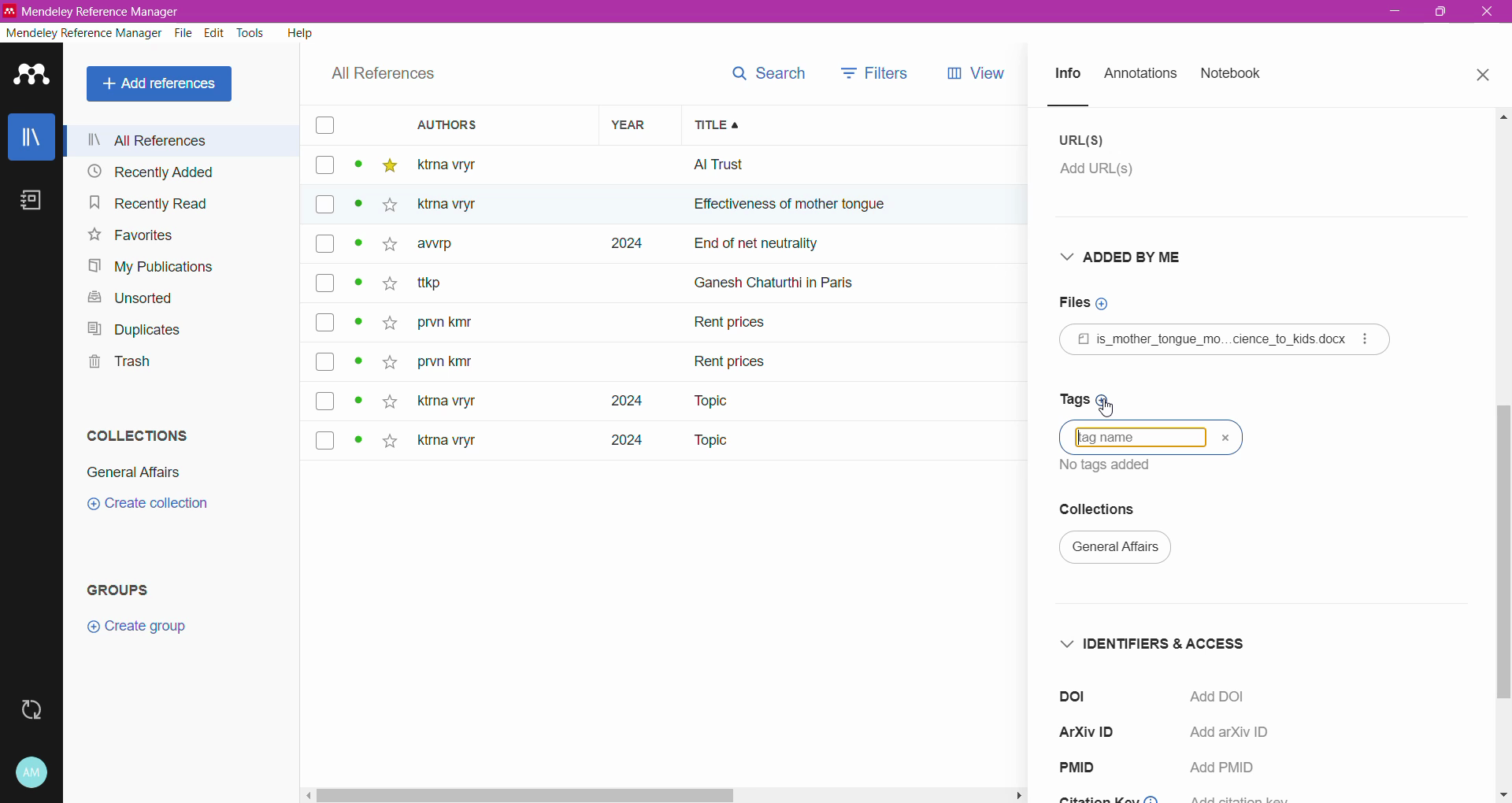 The height and width of the screenshot is (803, 1512). Describe the element at coordinates (166, 202) in the screenshot. I see `Recently Read` at that location.